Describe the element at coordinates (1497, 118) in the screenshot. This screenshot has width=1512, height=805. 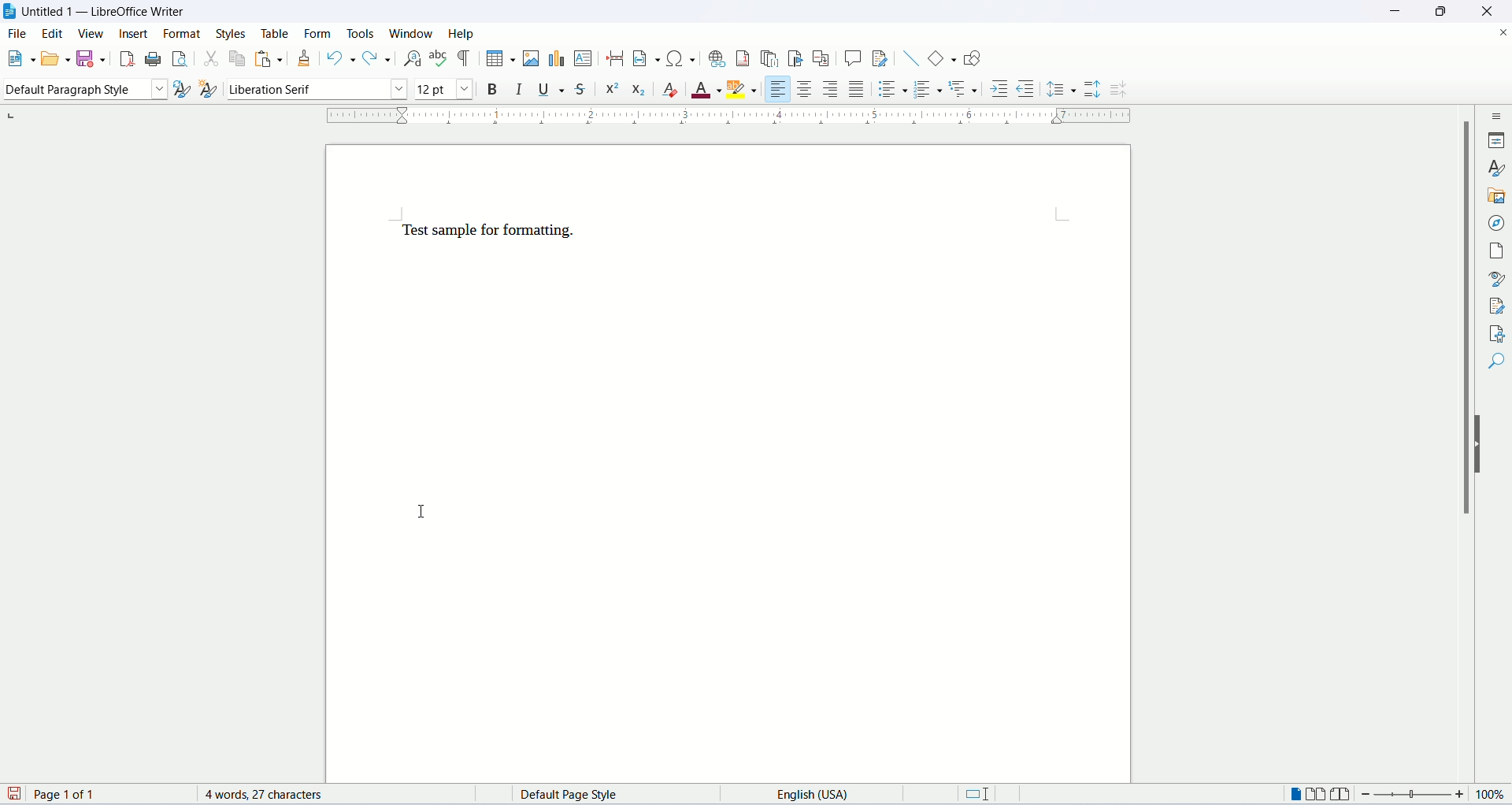
I see `sidebar` at that location.